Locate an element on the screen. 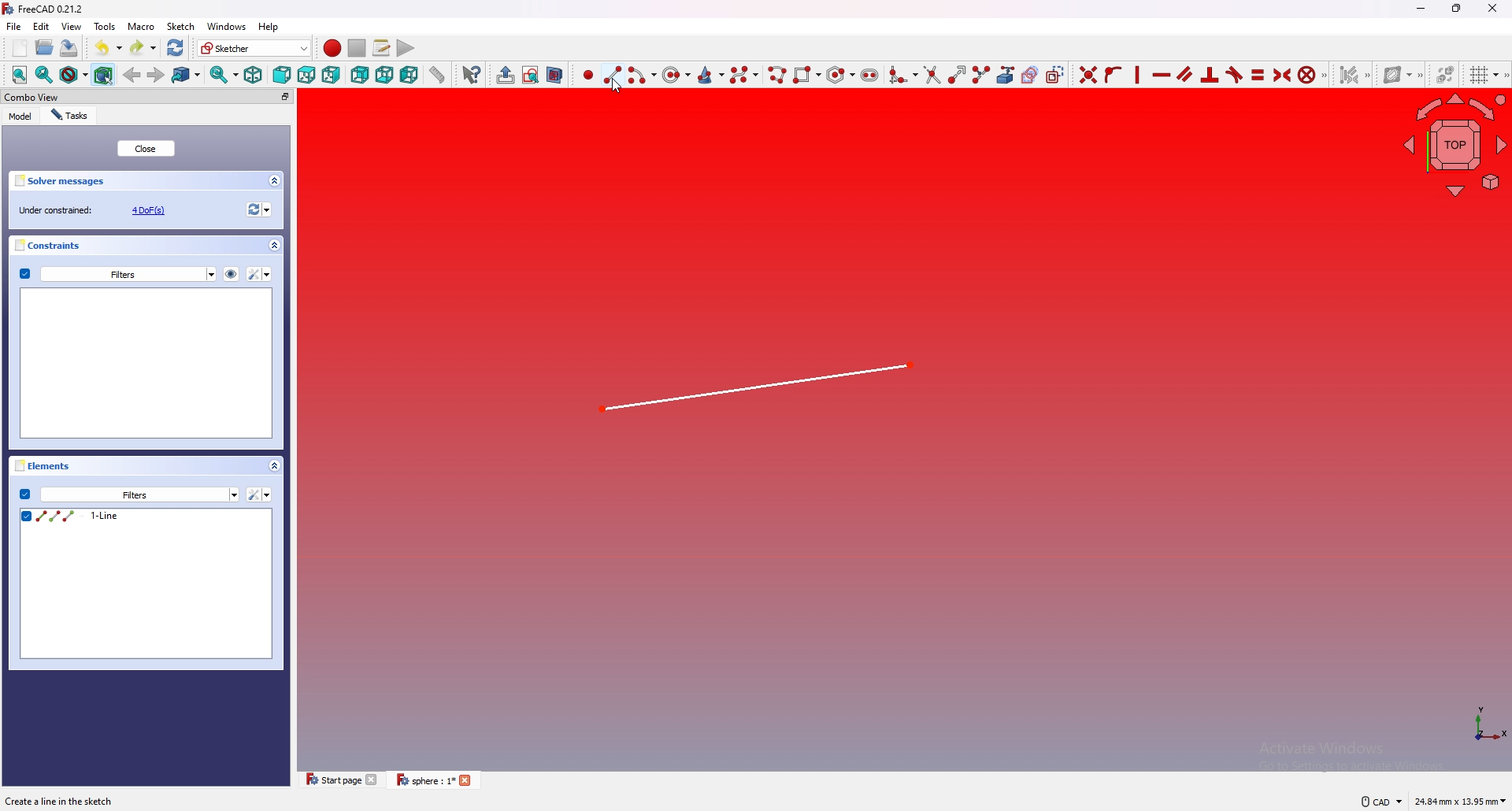 This screenshot has height=811, width=1512. Create slot is located at coordinates (872, 73).